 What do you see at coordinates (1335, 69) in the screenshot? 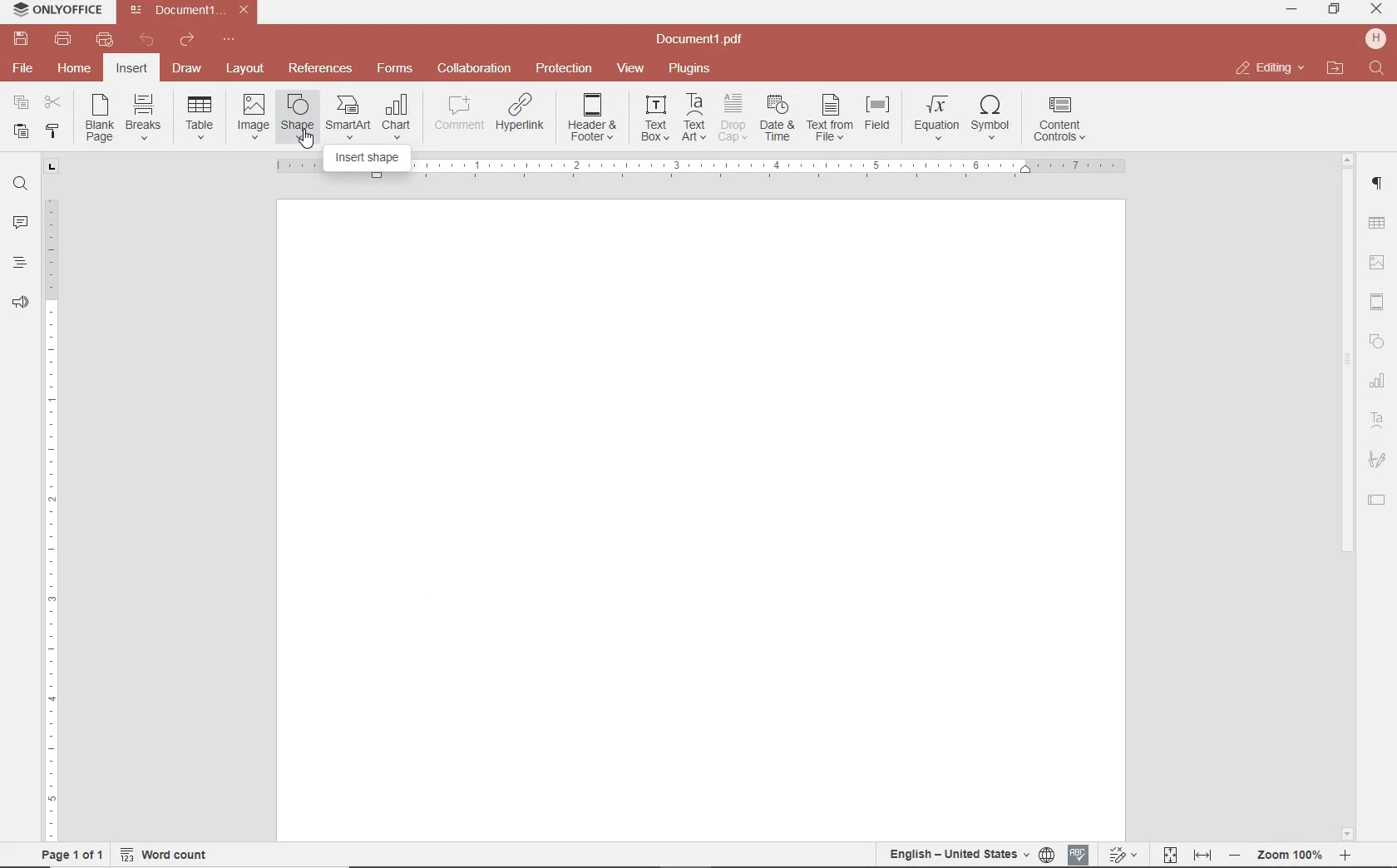
I see `open file location` at bounding box center [1335, 69].